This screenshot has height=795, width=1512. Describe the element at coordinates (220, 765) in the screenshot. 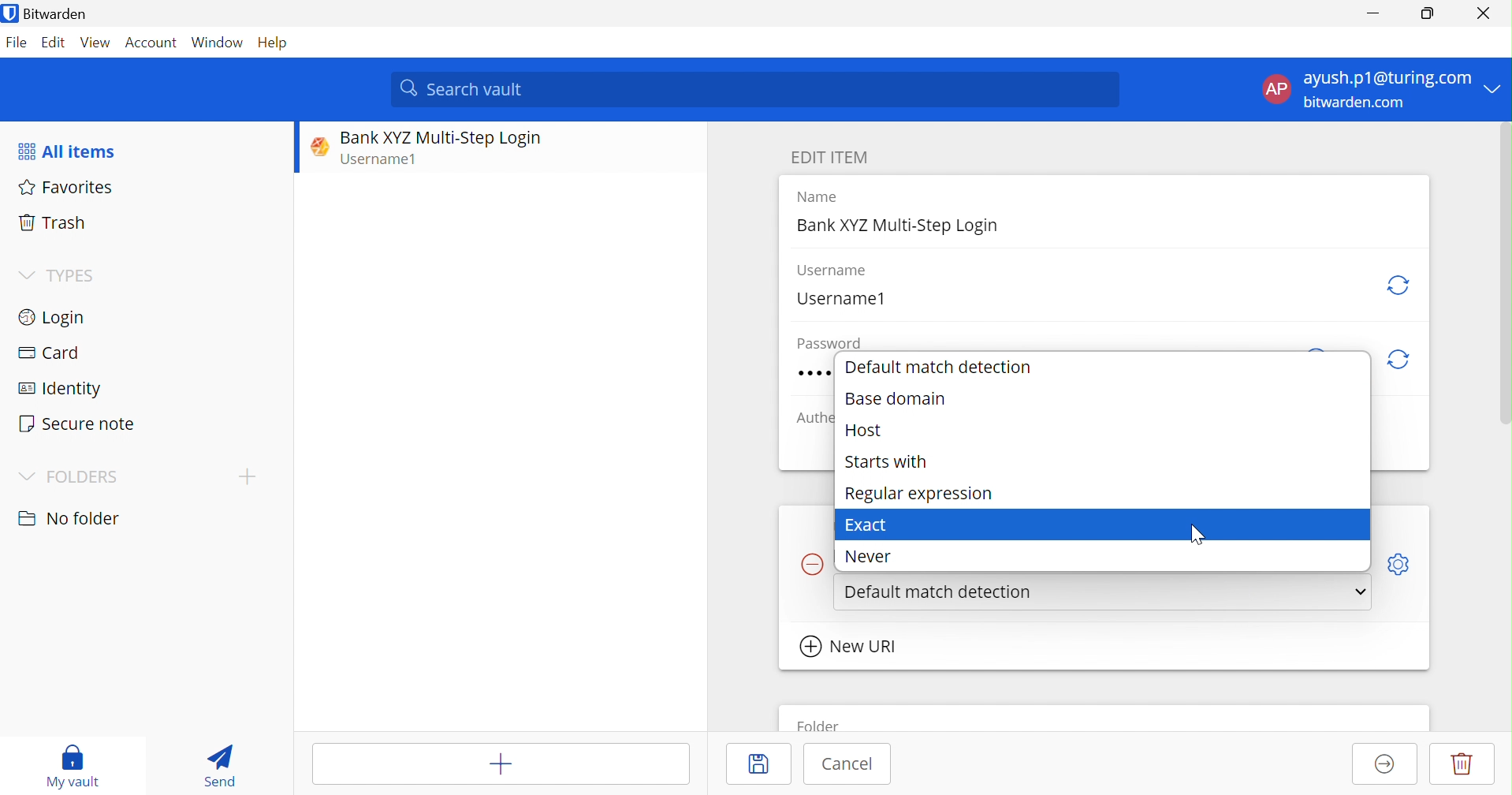

I see `Send` at that location.